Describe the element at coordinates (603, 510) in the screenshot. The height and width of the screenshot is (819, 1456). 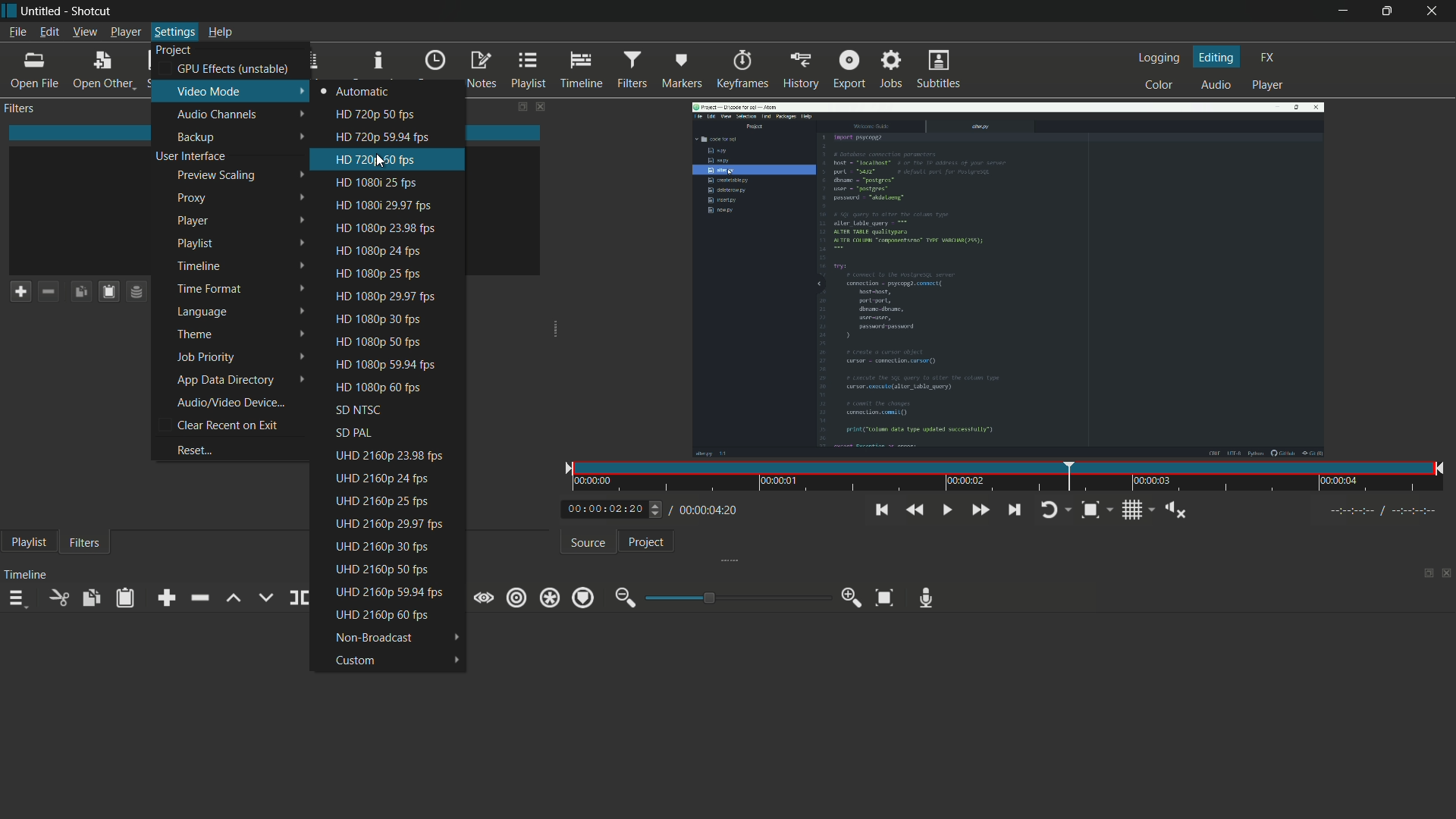
I see `current time` at that location.